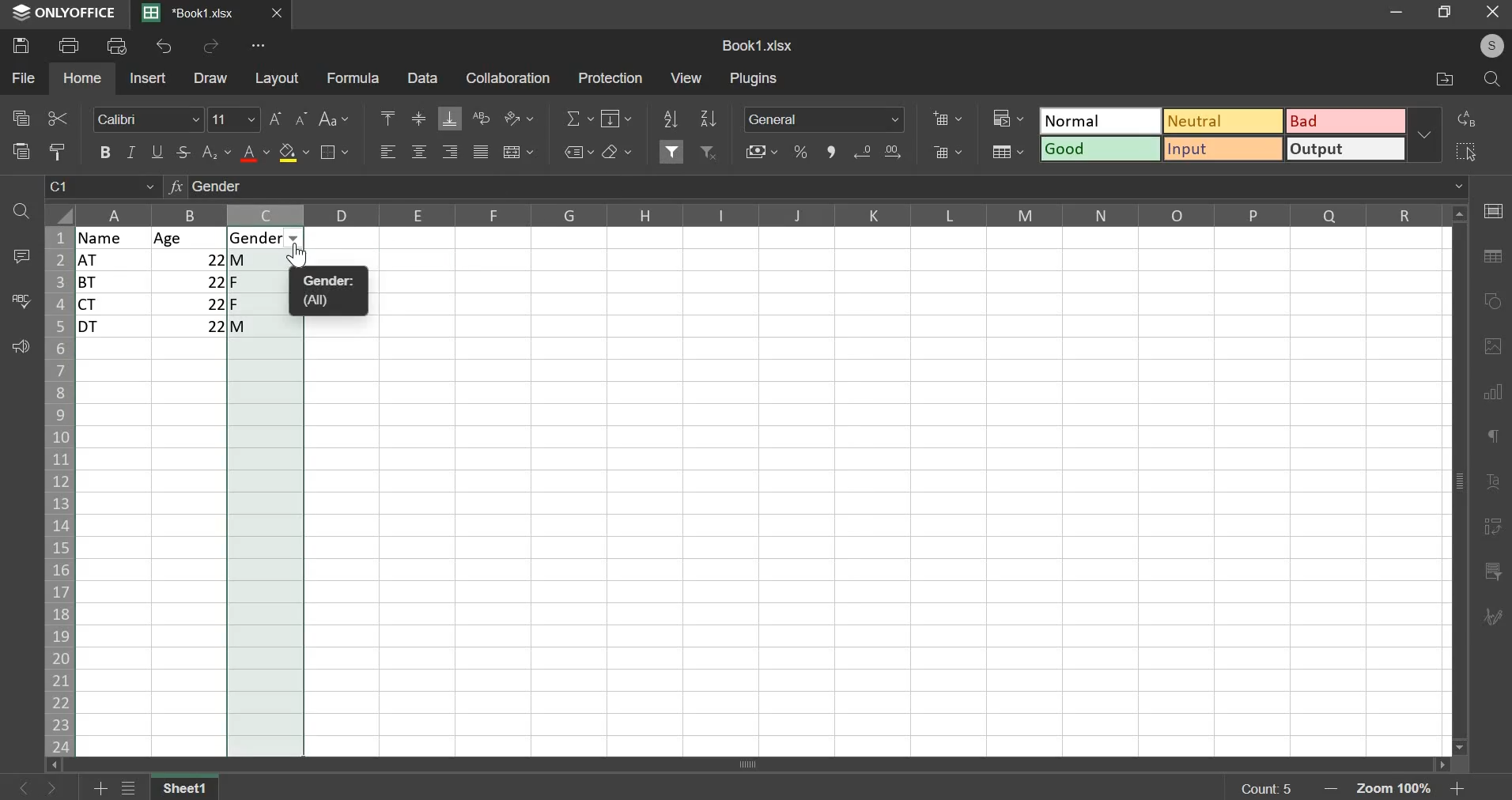 The height and width of the screenshot is (800, 1512). What do you see at coordinates (800, 153) in the screenshot?
I see `percent style` at bounding box center [800, 153].